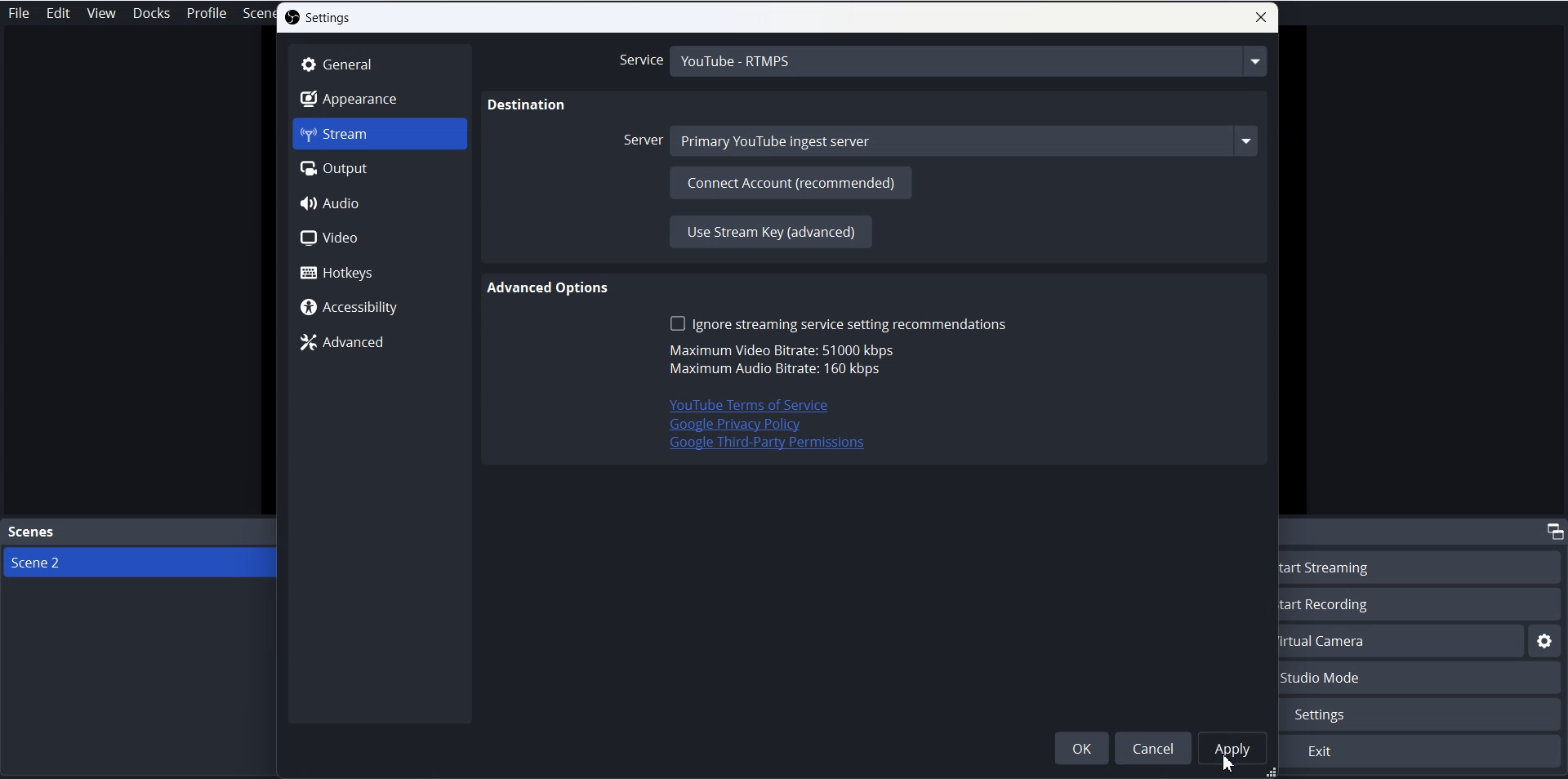 The image size is (1568, 779). I want to click on Stream, so click(380, 134).